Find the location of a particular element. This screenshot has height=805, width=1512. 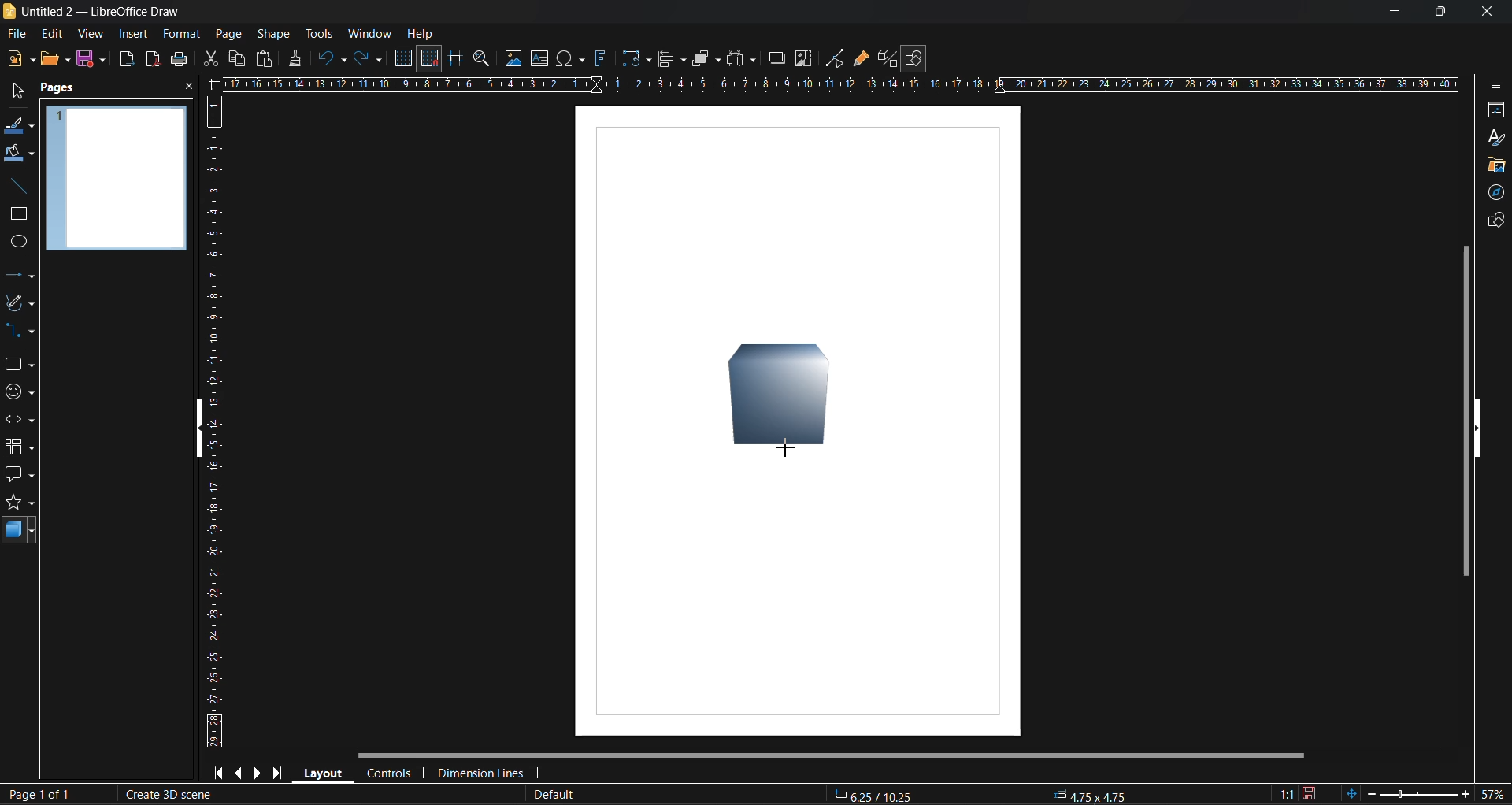

flowchart is located at coordinates (20, 447).